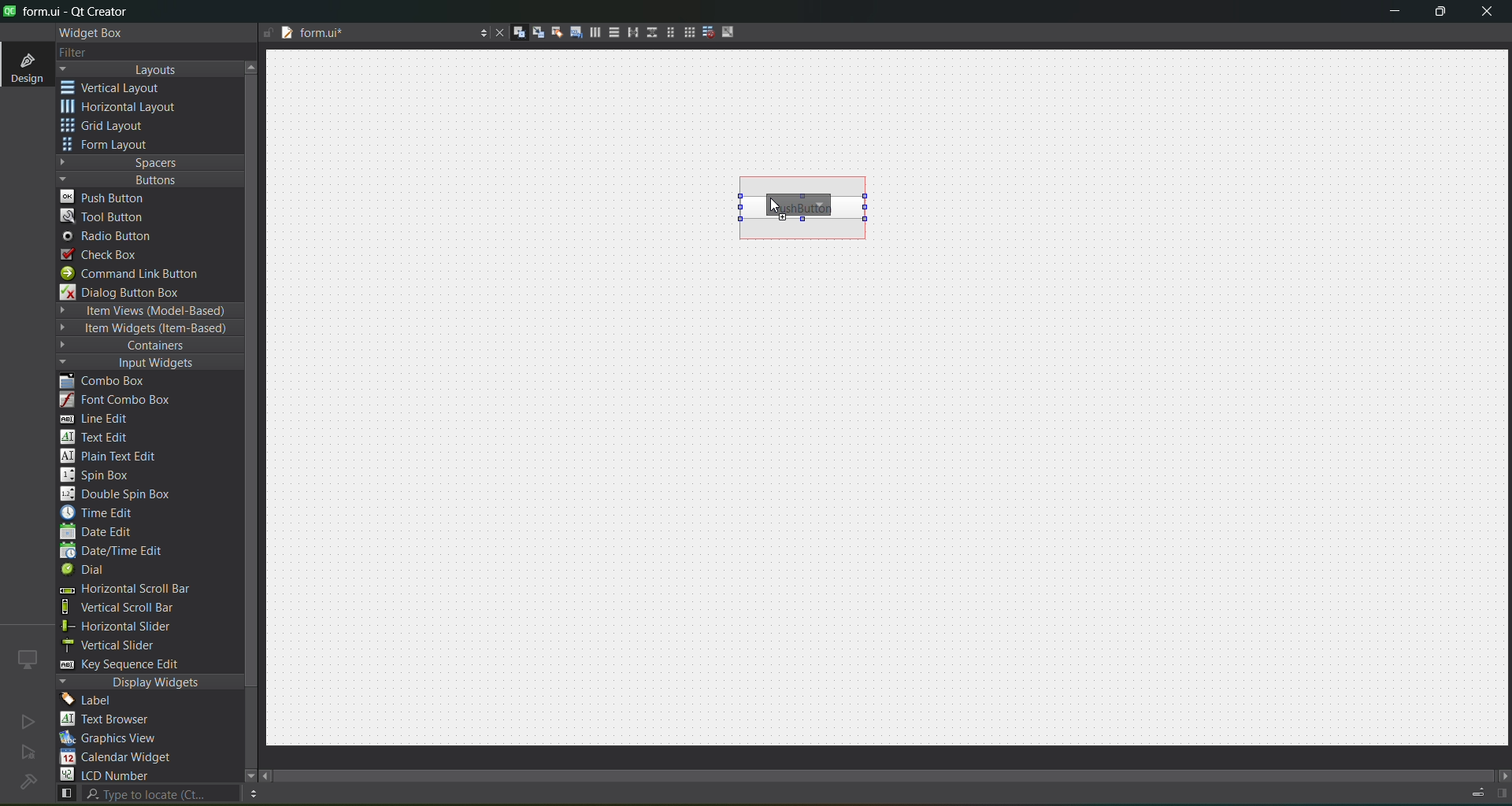  I want to click on move up, so click(254, 65).